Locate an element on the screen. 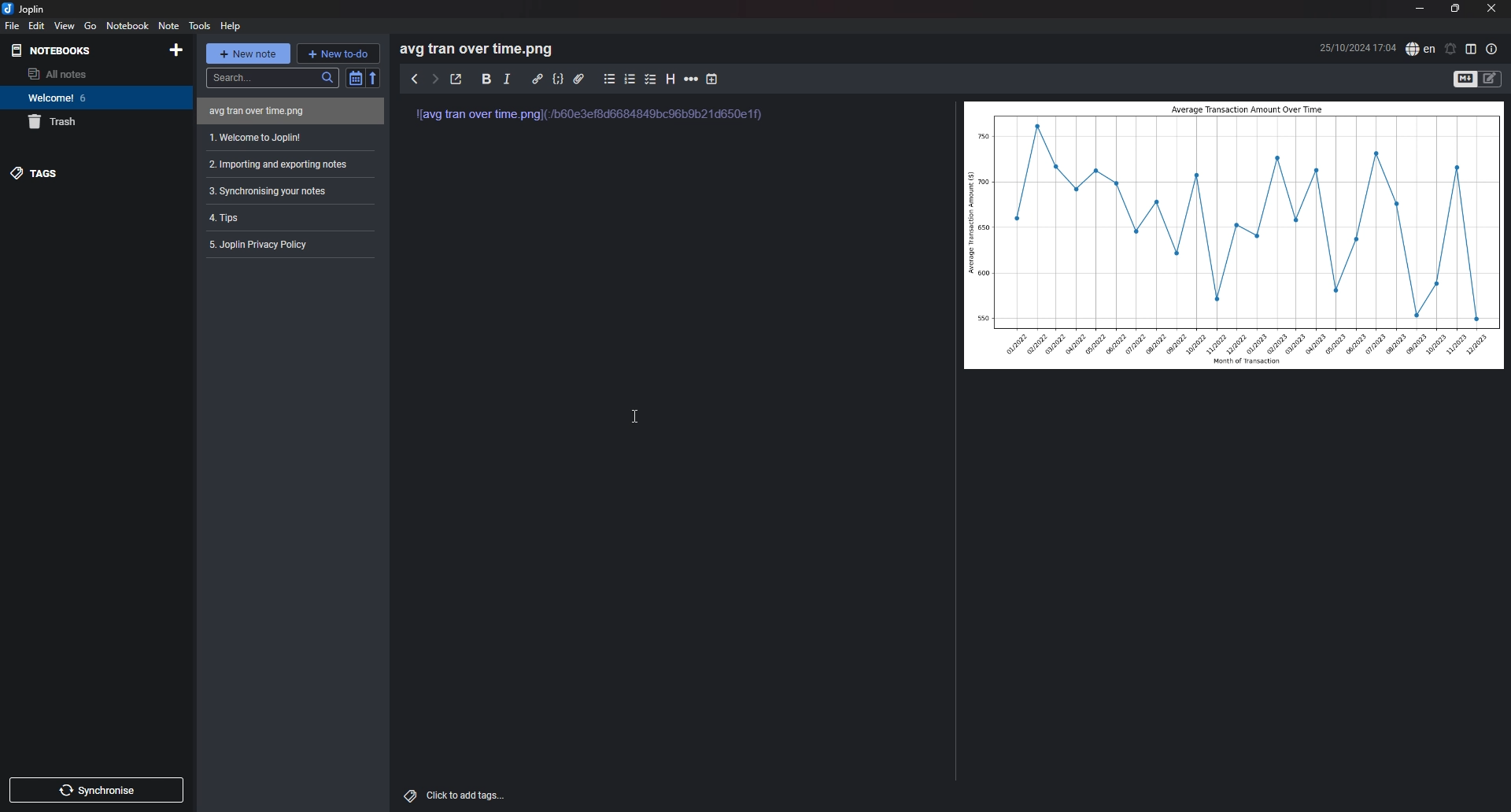 The width and height of the screenshot is (1511, 812). edit is located at coordinates (37, 25).